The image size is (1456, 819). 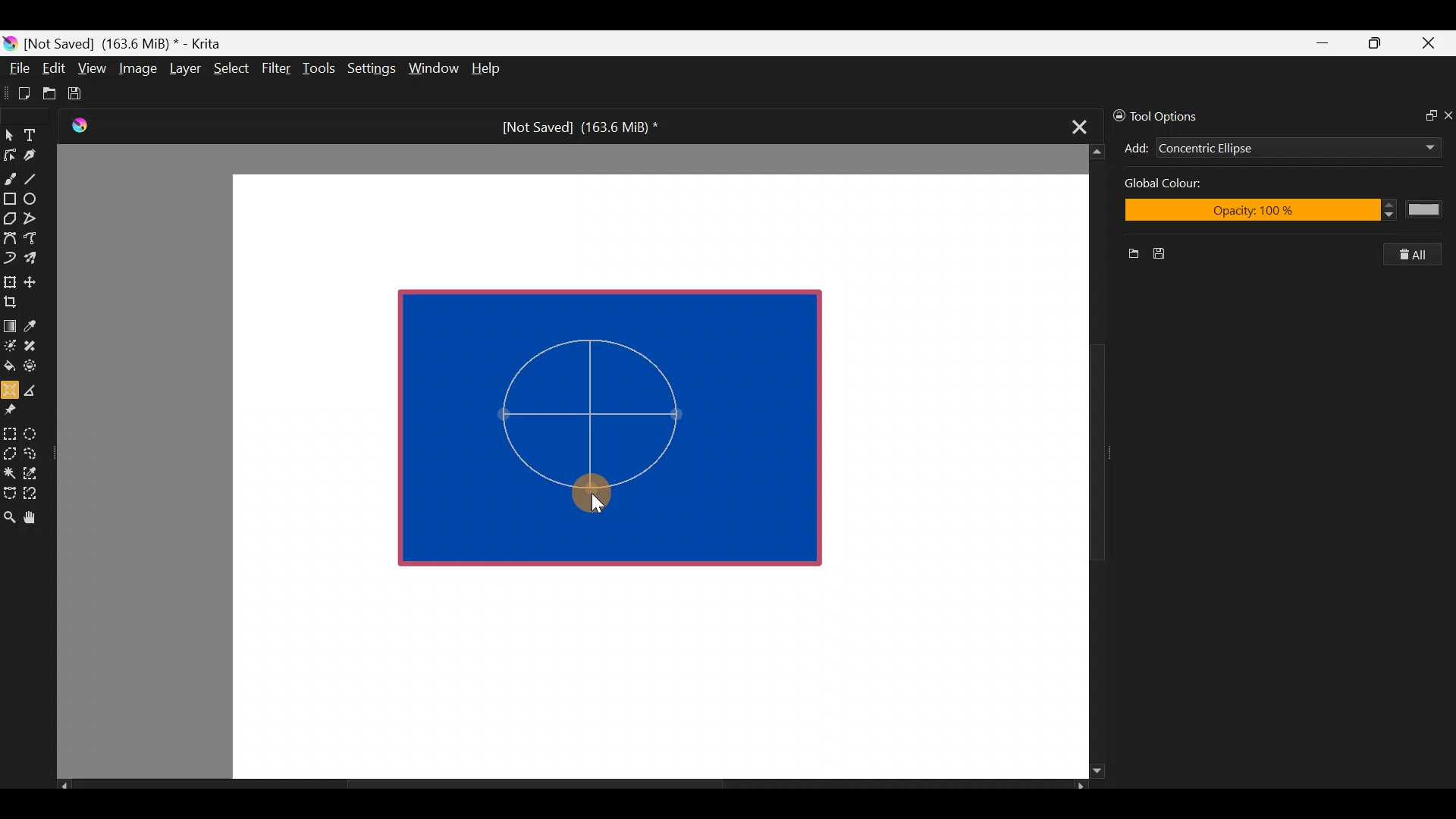 What do you see at coordinates (40, 177) in the screenshot?
I see `Line tool` at bounding box center [40, 177].